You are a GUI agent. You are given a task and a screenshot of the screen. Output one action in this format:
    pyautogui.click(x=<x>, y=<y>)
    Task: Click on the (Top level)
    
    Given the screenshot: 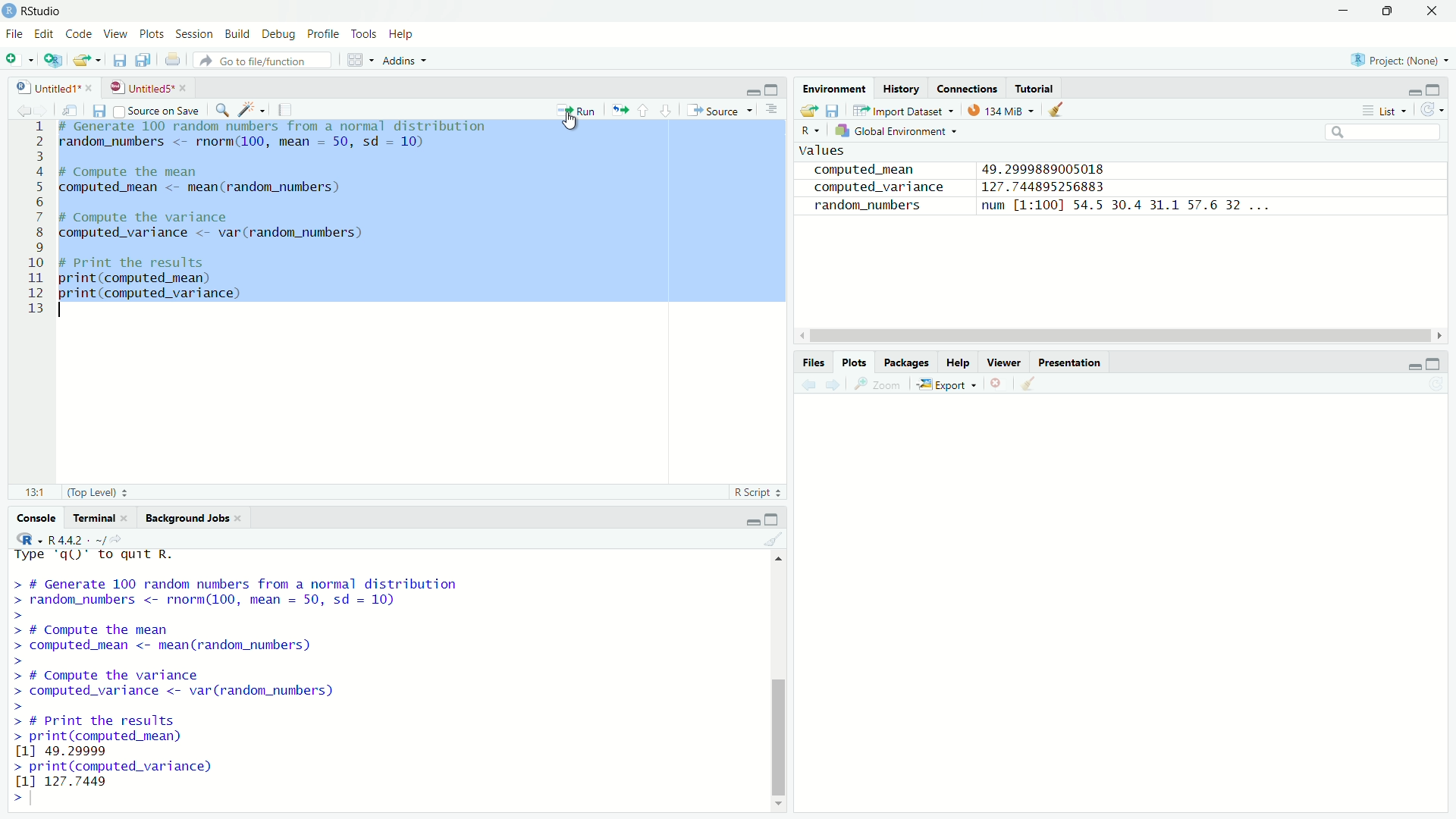 What is the action you would take?
    pyautogui.click(x=102, y=493)
    